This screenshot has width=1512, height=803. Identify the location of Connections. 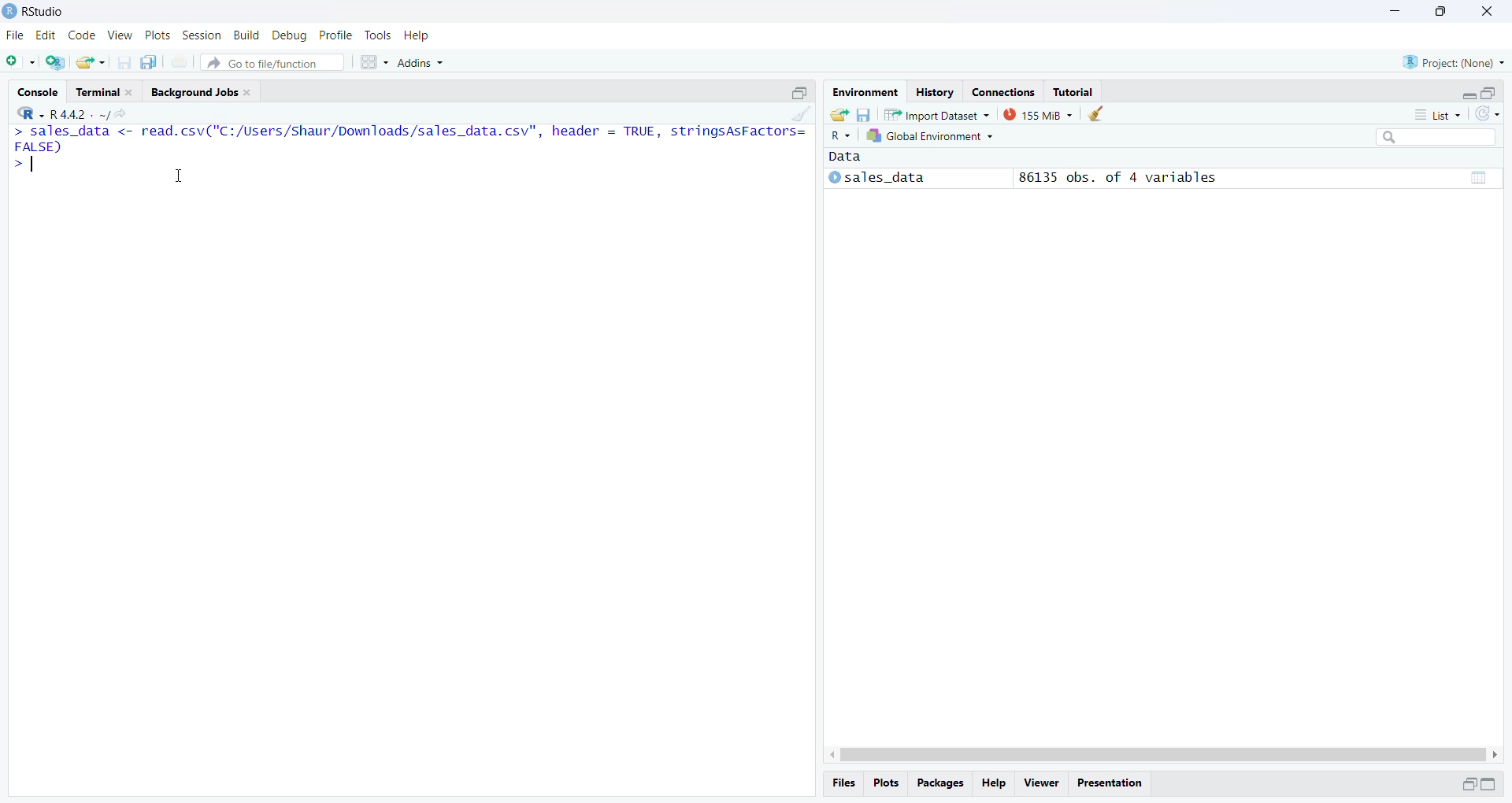
(1003, 92).